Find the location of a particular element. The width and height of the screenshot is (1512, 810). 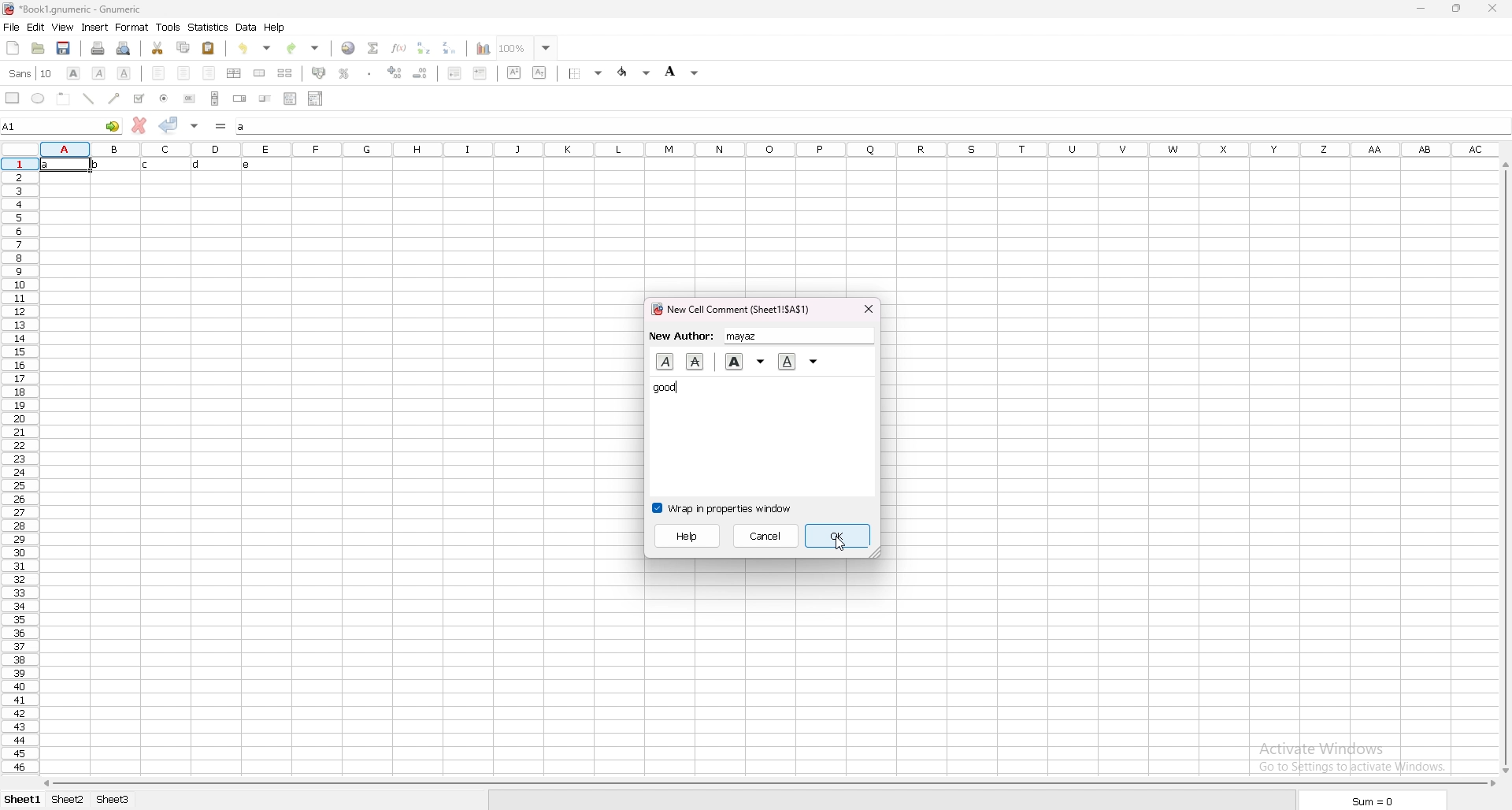

file is located at coordinates (12, 27).